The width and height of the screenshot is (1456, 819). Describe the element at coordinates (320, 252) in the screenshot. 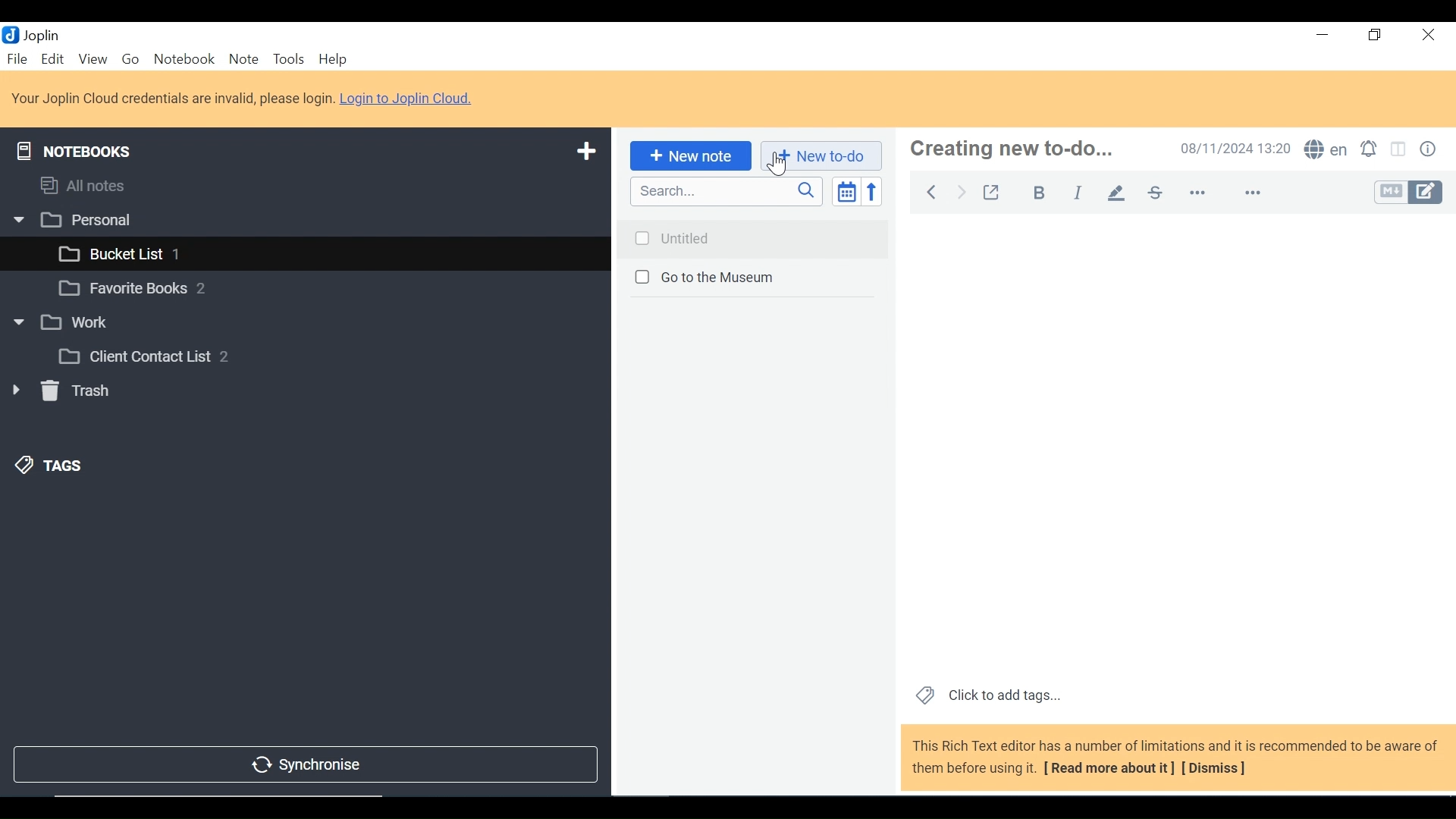

I see `Notebook` at that location.